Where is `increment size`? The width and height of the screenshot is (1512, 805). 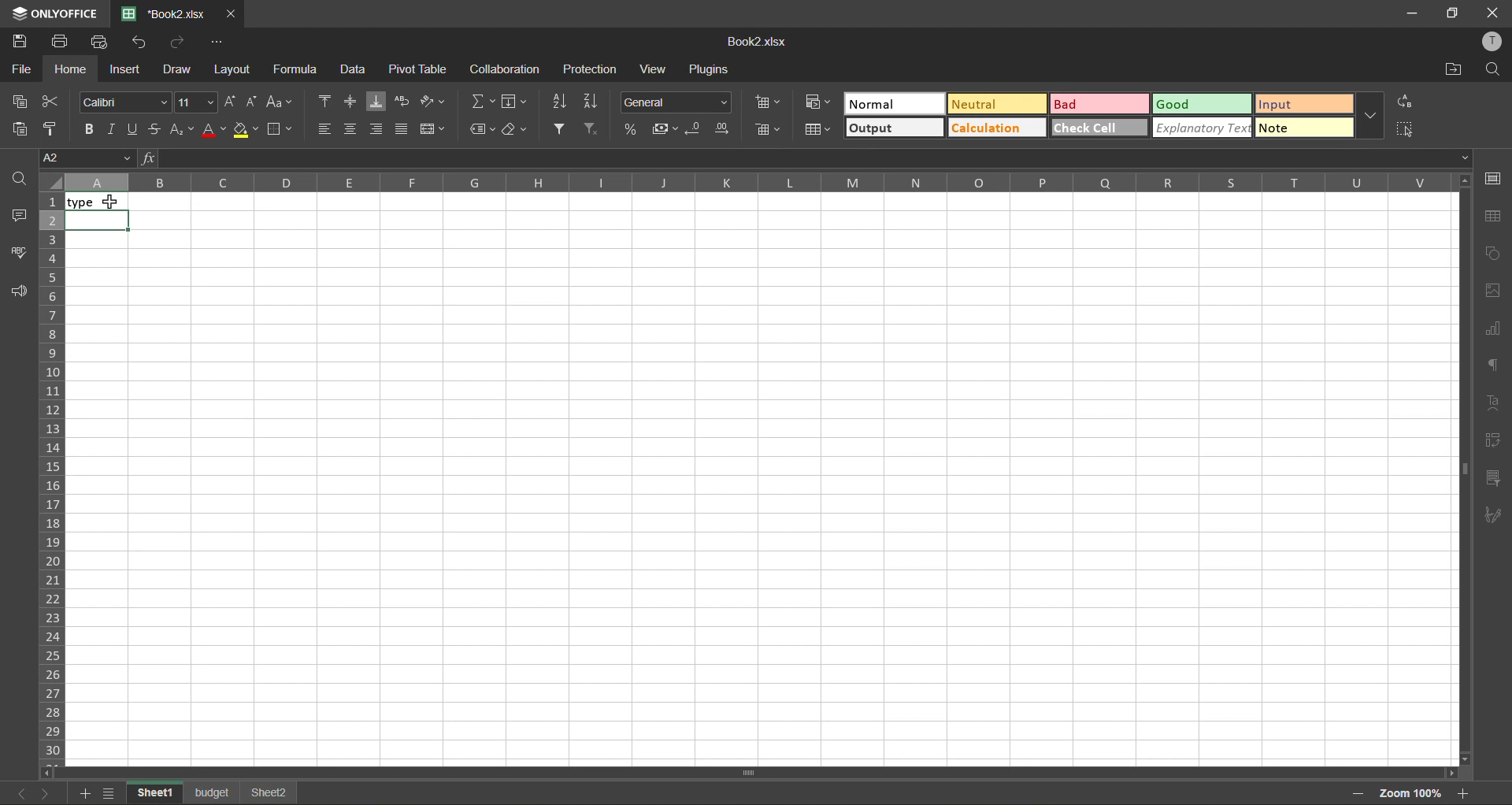 increment size is located at coordinates (231, 102).